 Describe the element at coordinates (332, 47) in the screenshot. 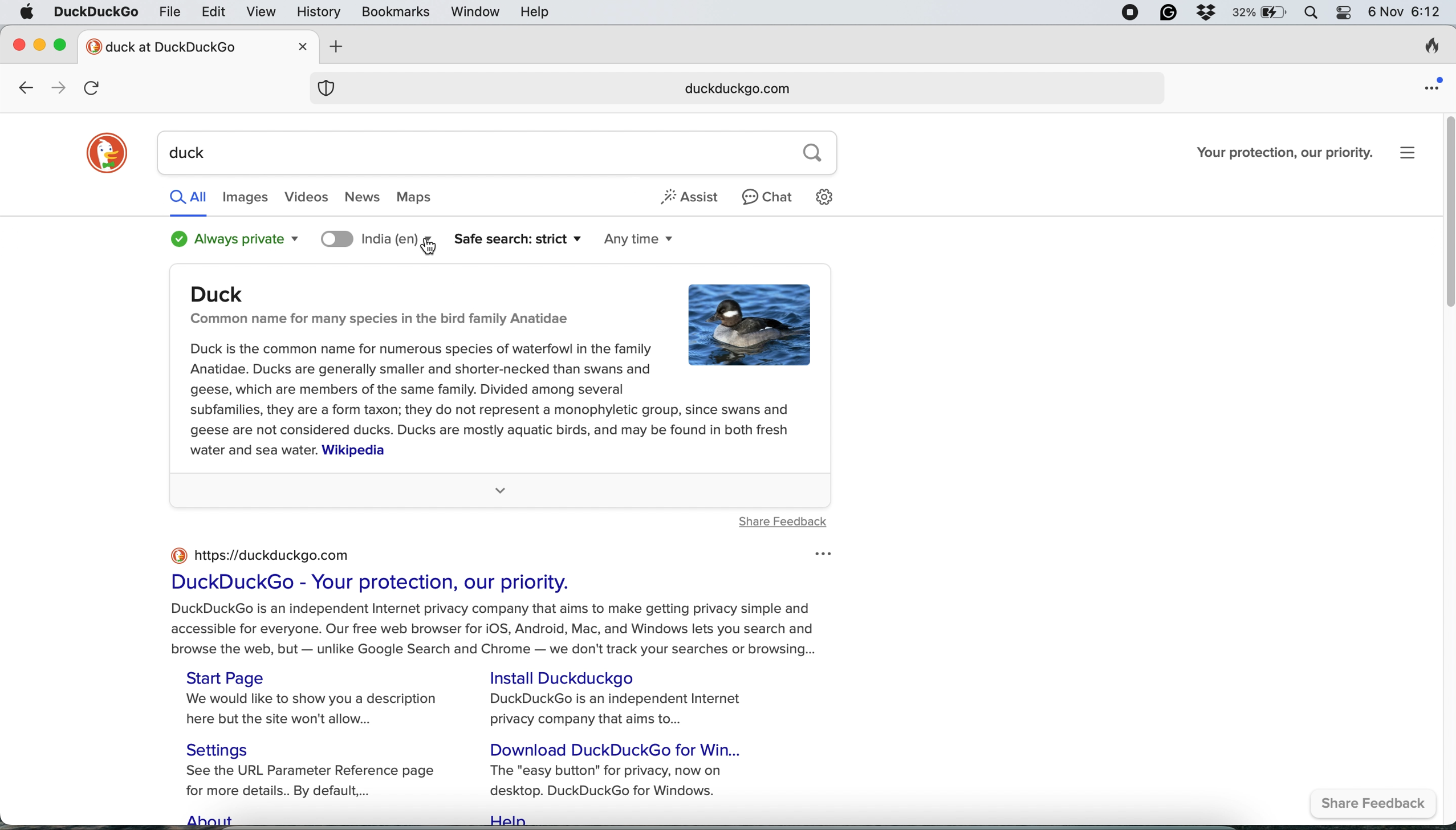

I see `add new tab` at that location.